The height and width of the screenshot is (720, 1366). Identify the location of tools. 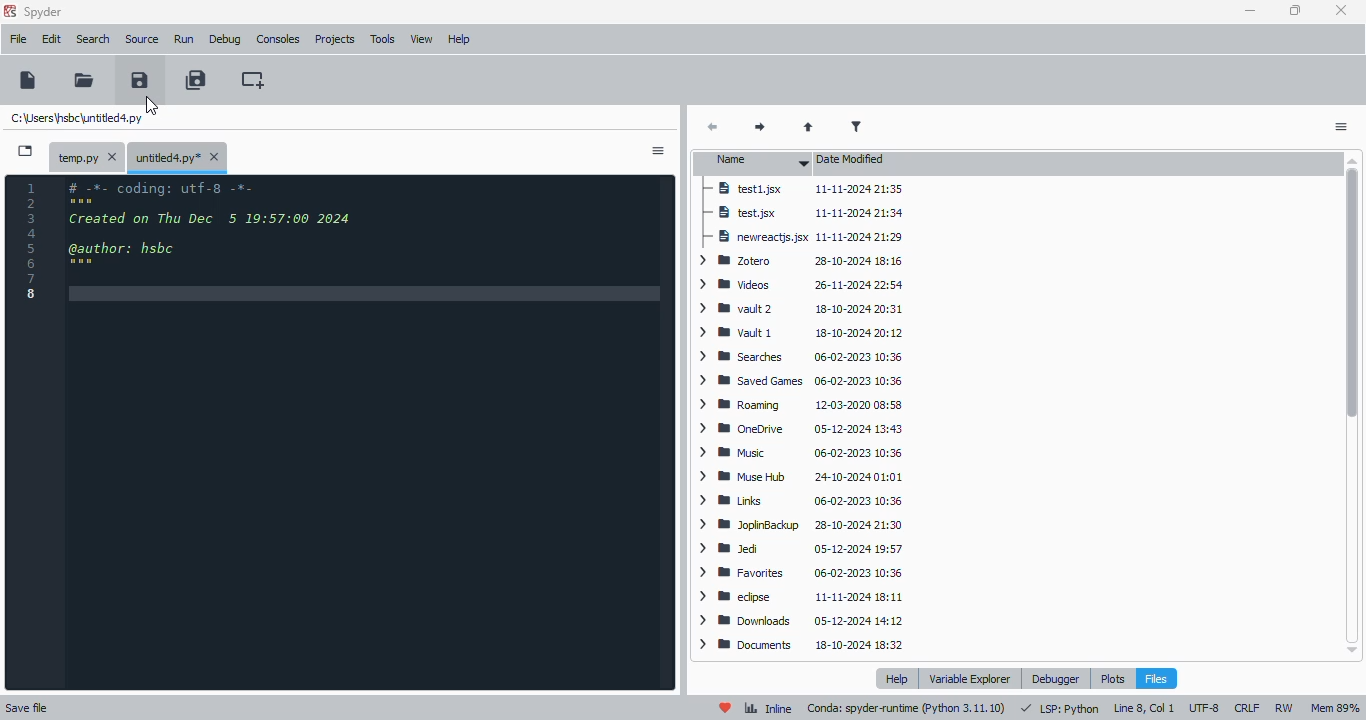
(383, 40).